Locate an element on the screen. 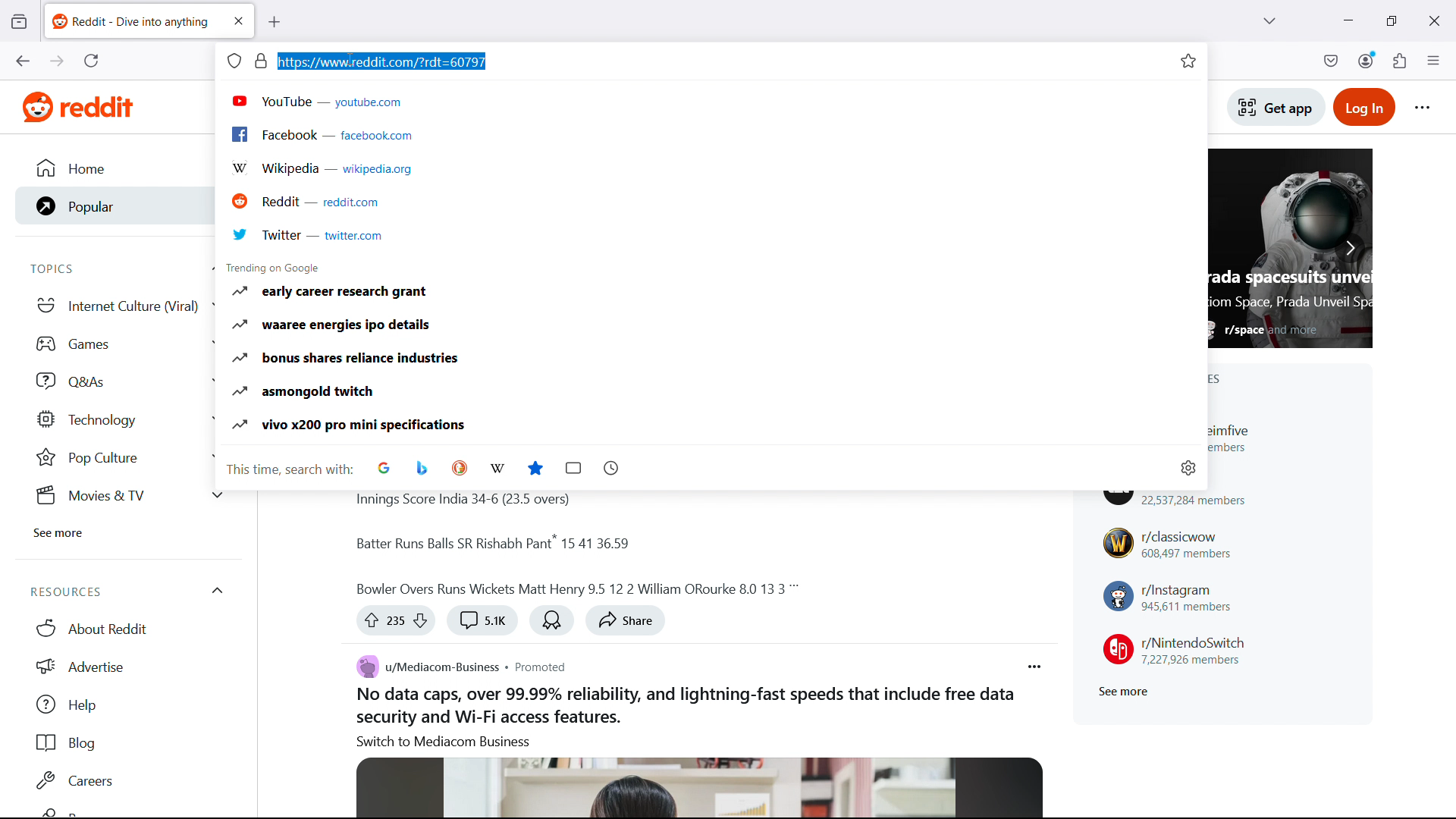 Image resolution: width=1456 pixels, height=819 pixels. waaree Energies IPO details is located at coordinates (709, 322).